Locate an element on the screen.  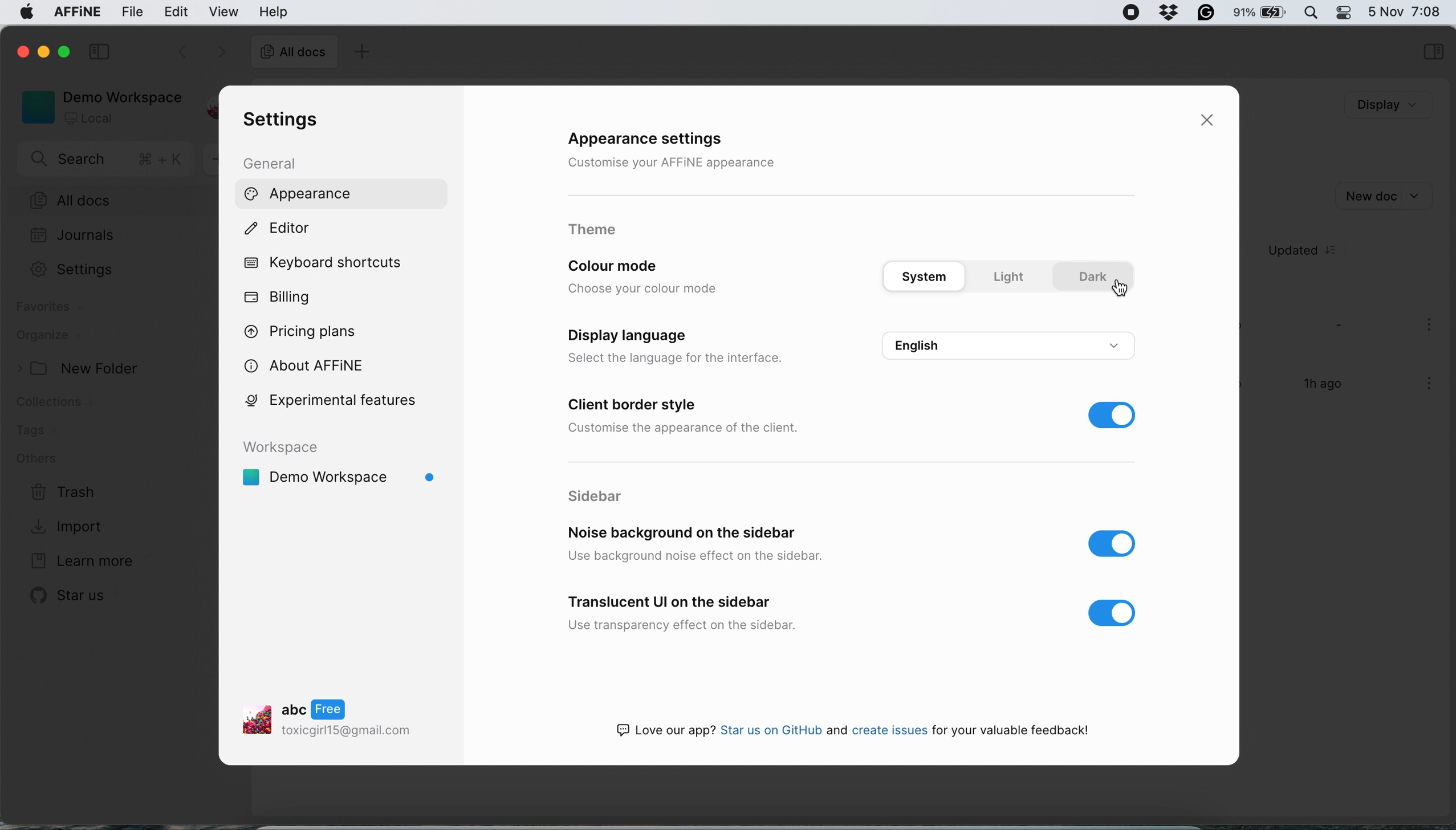
use transparency effect on the sidebar is located at coordinates (686, 623).